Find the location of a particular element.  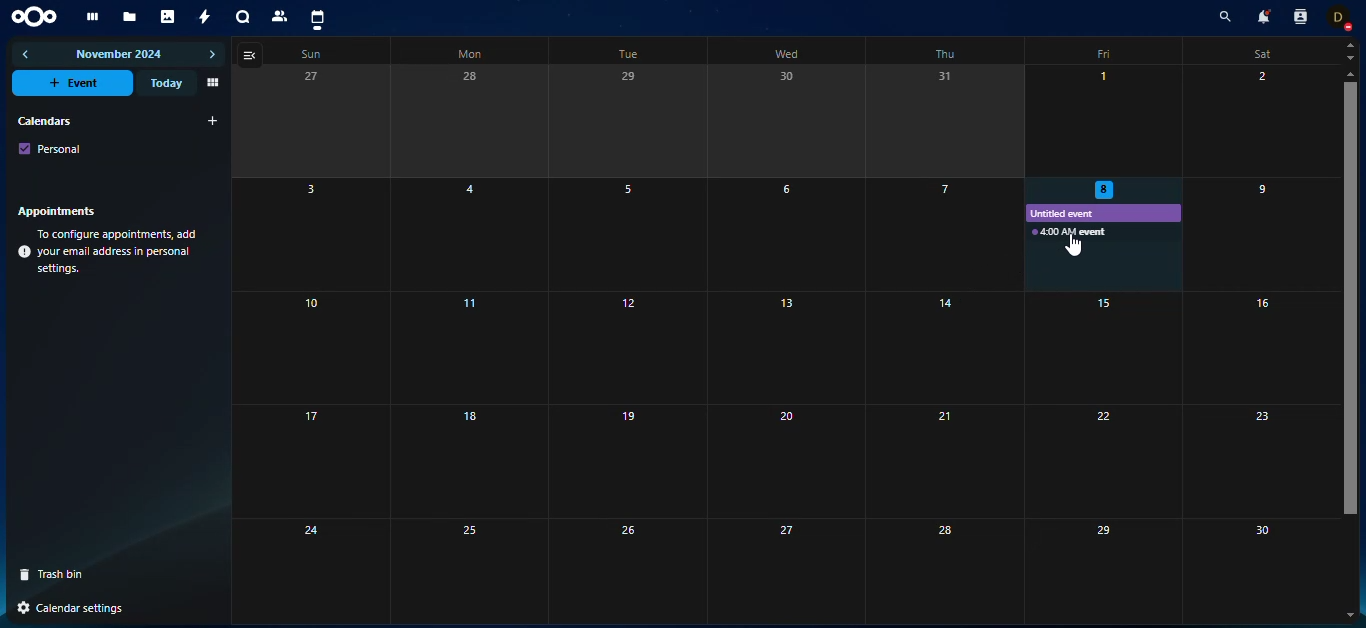

wed is located at coordinates (787, 53).